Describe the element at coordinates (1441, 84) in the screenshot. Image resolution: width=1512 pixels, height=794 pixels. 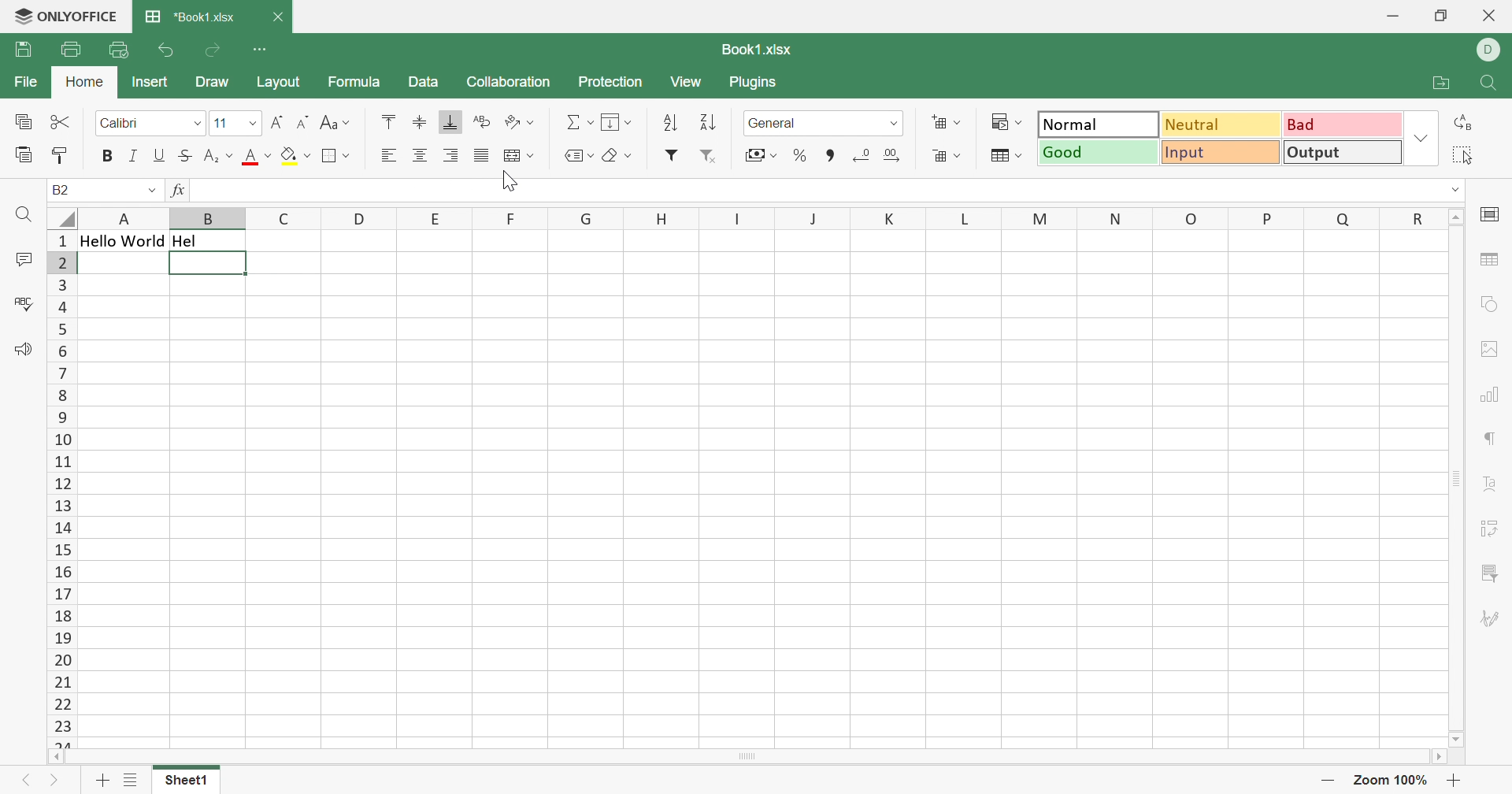
I see `Open file location` at that location.